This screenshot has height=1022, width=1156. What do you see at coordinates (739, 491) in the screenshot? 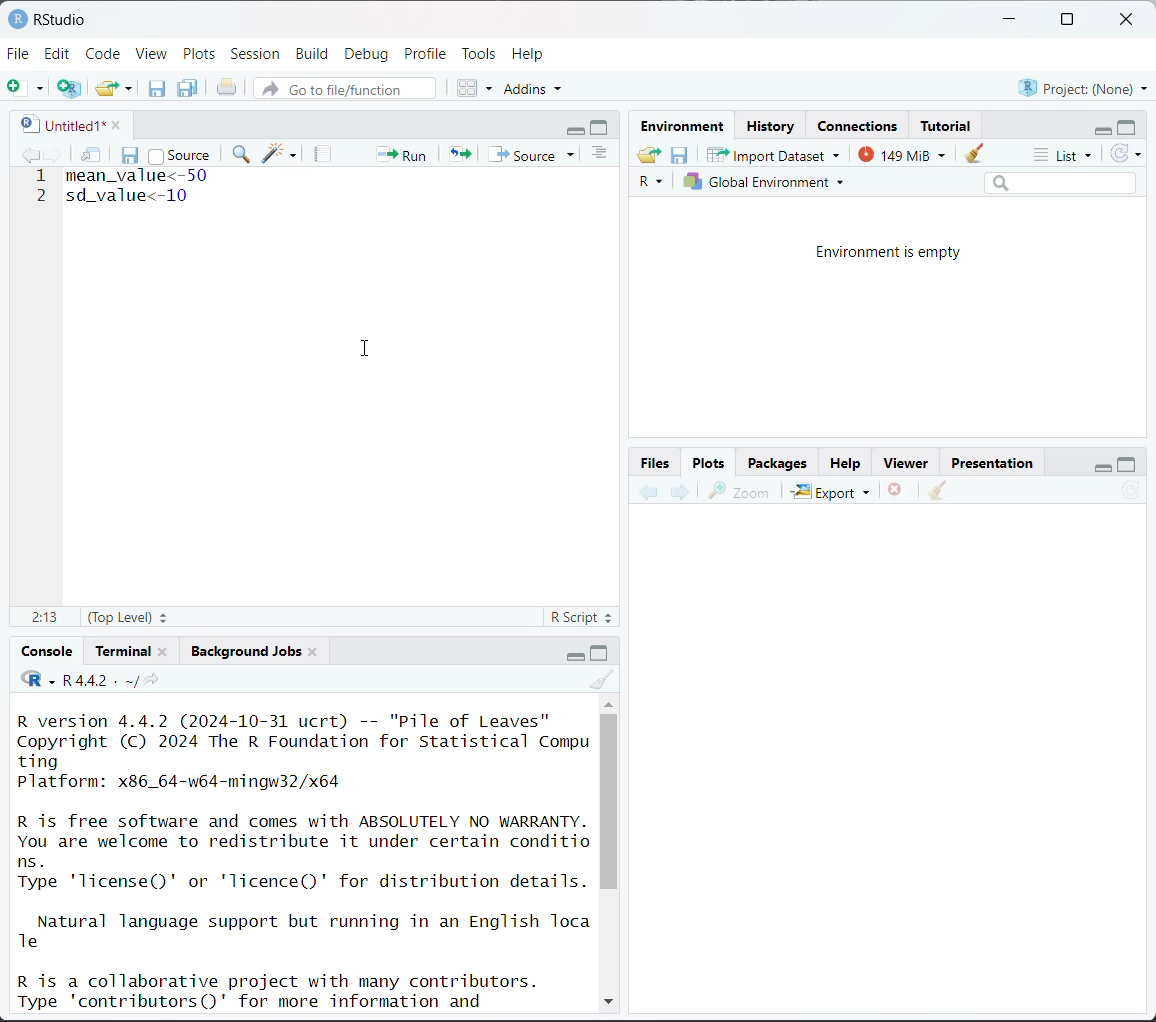
I see `zoom` at bounding box center [739, 491].